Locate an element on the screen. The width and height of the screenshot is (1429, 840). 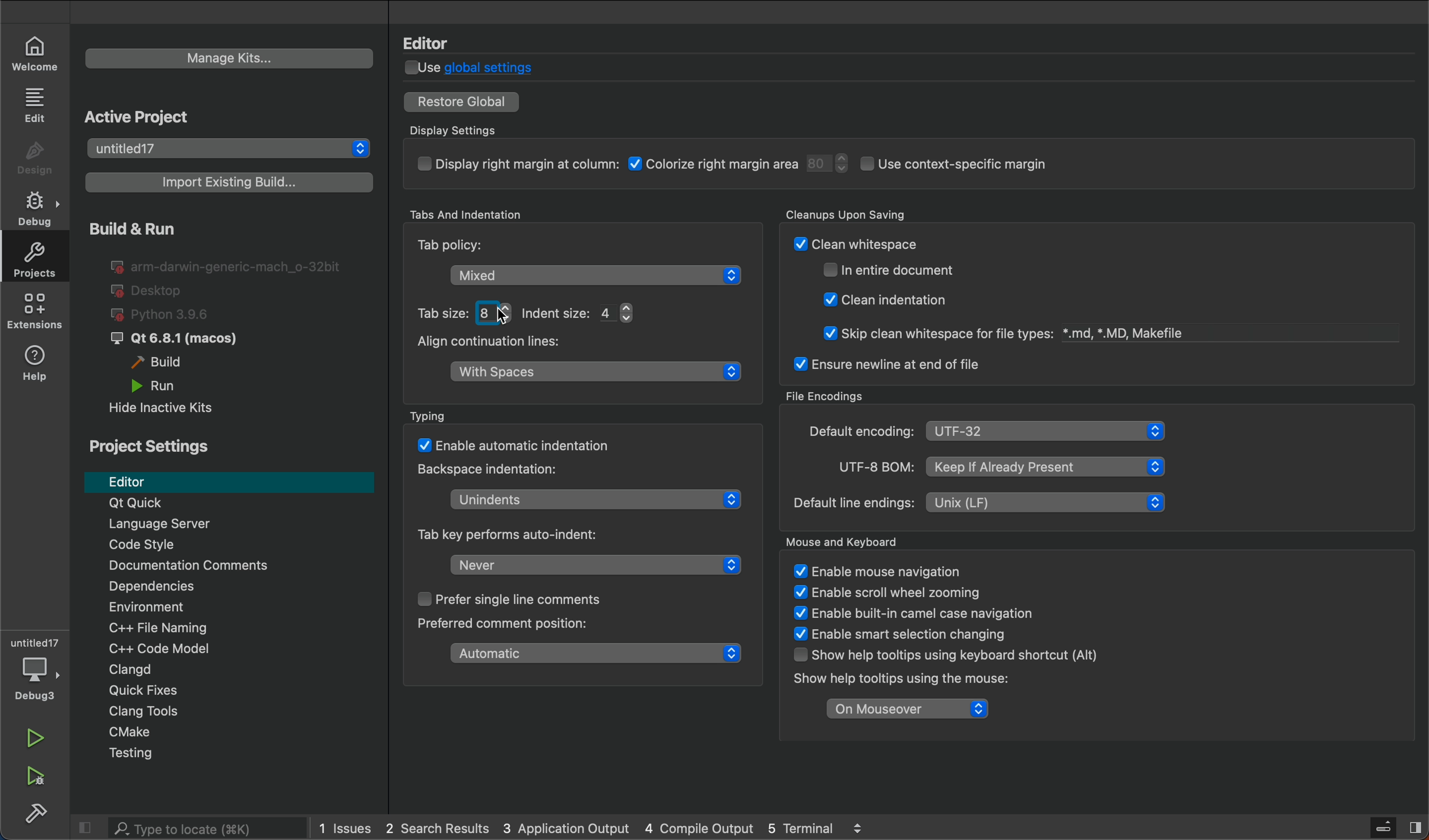
global settings is located at coordinates (481, 67).